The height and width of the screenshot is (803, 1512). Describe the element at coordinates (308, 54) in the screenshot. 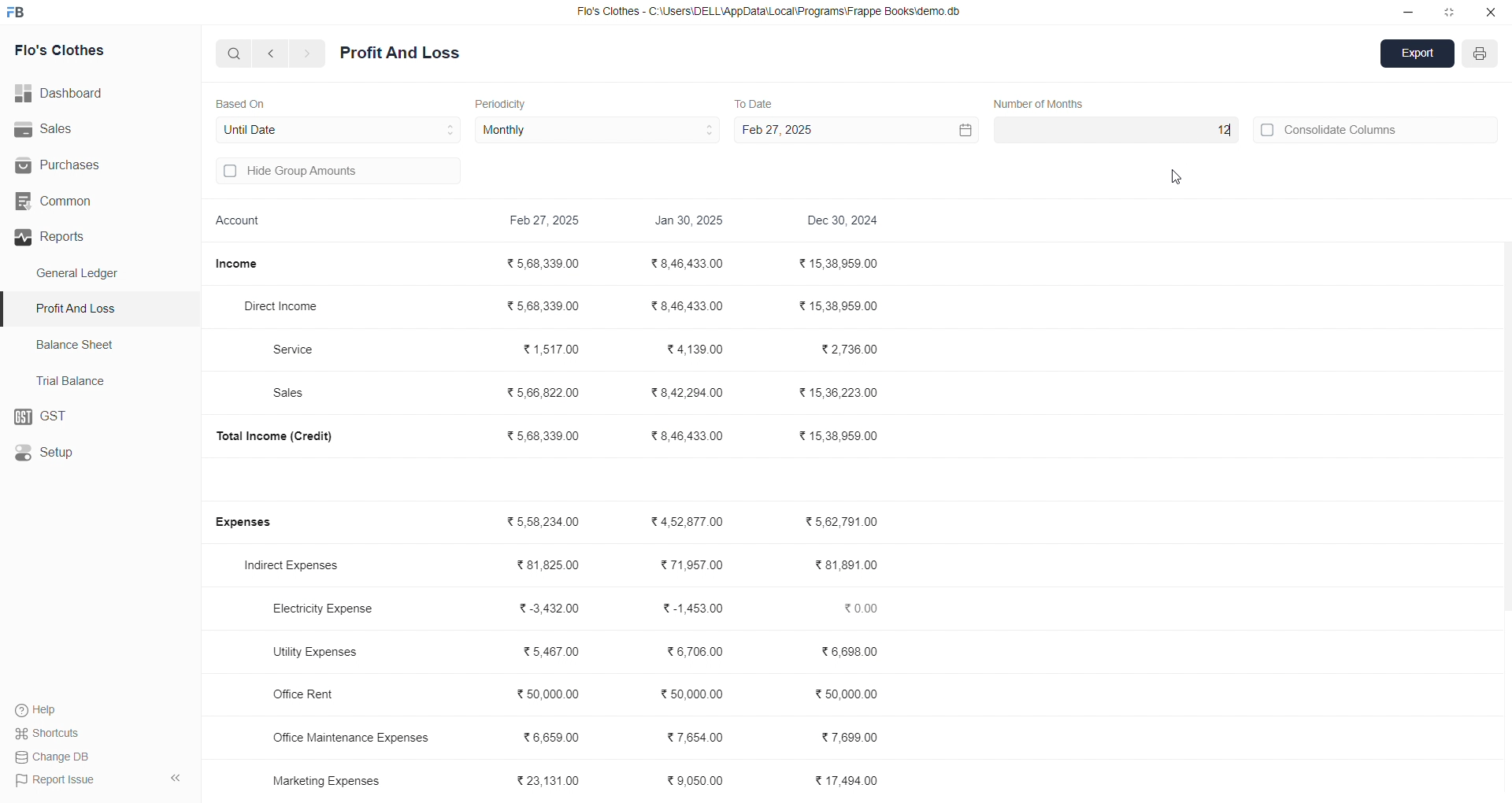

I see `navigate forward` at that location.